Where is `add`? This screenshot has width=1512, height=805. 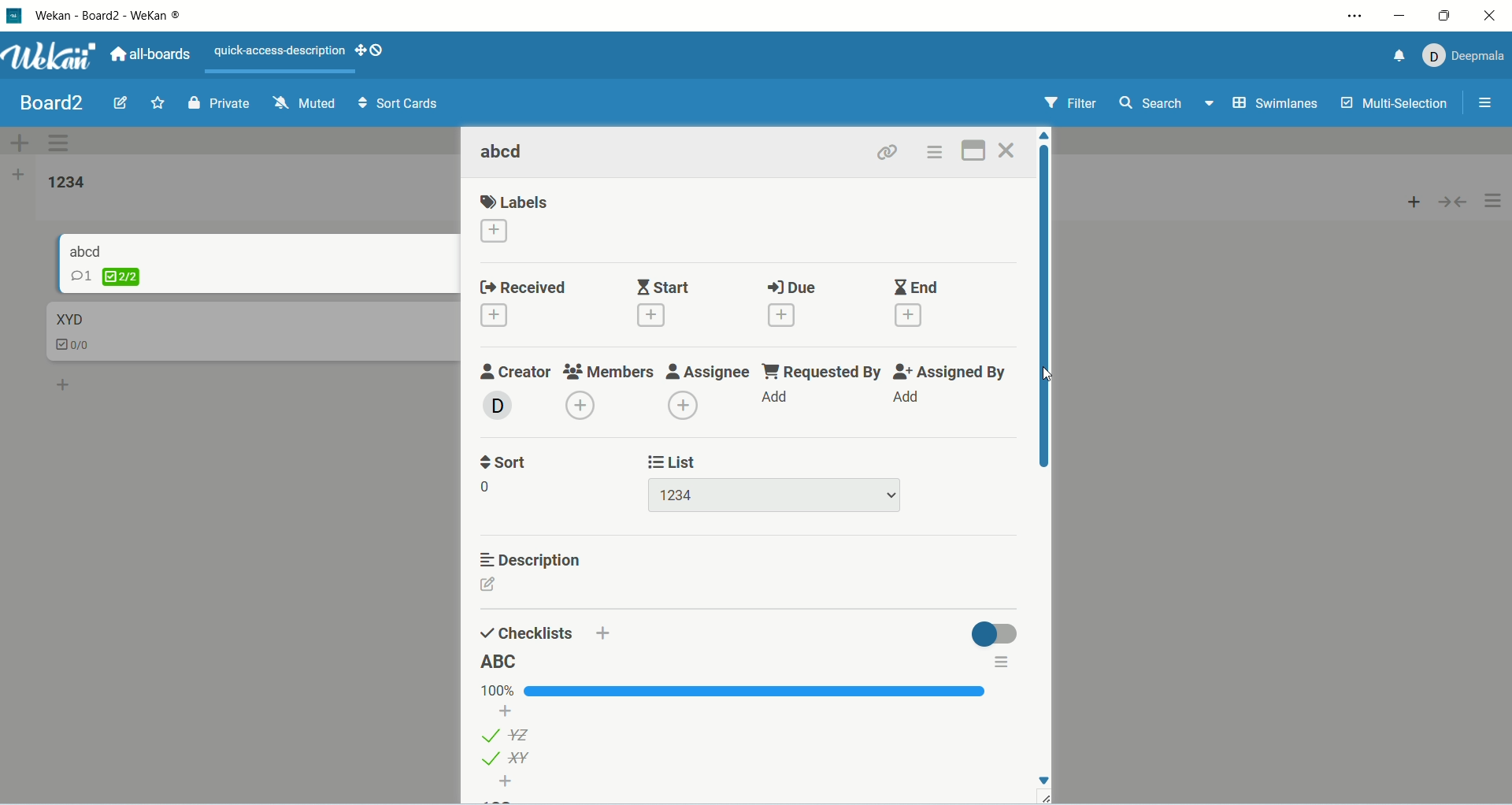
add is located at coordinates (777, 395).